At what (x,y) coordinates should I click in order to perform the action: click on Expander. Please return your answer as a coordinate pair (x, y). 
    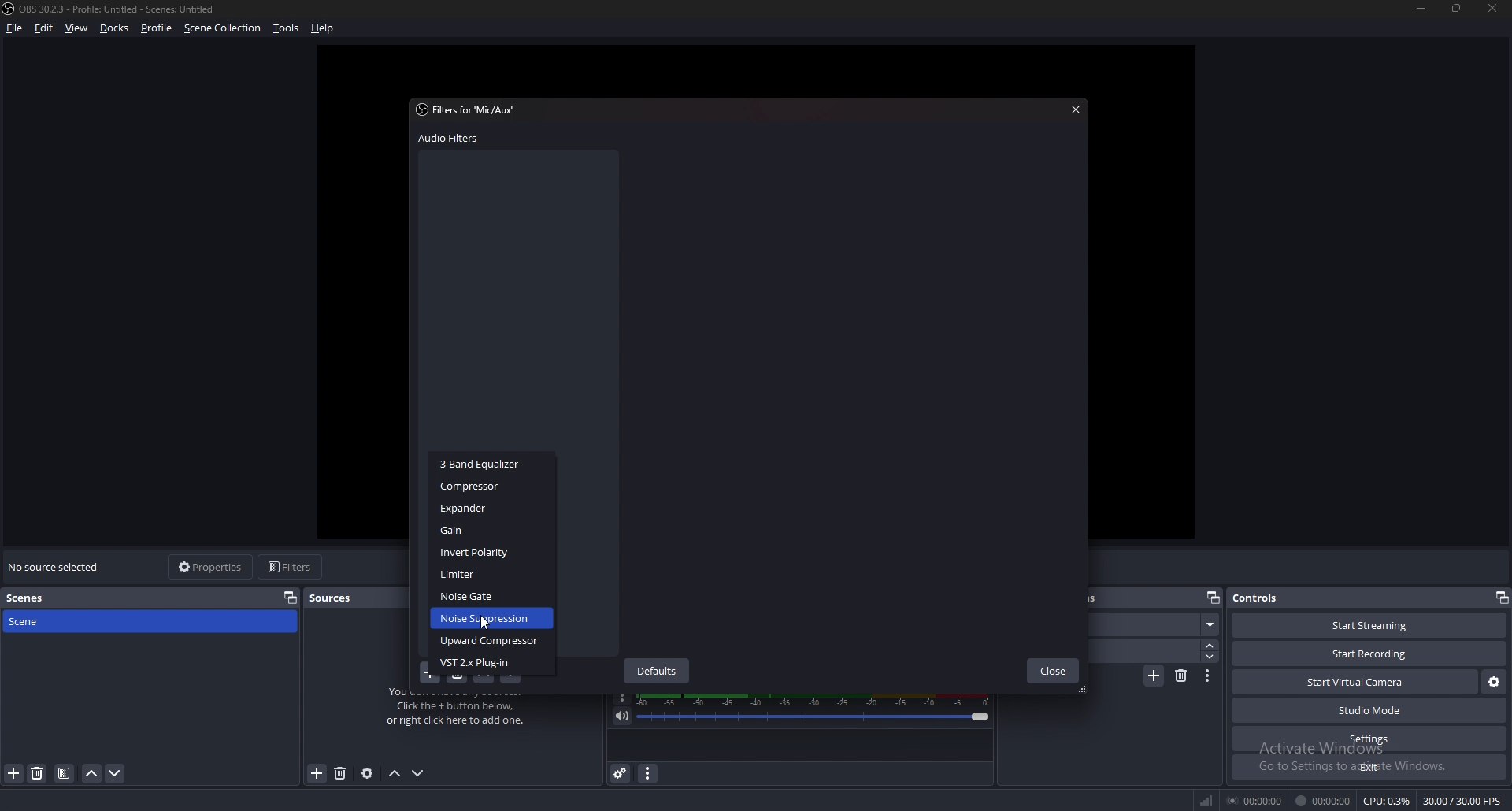
    Looking at the image, I should click on (475, 509).